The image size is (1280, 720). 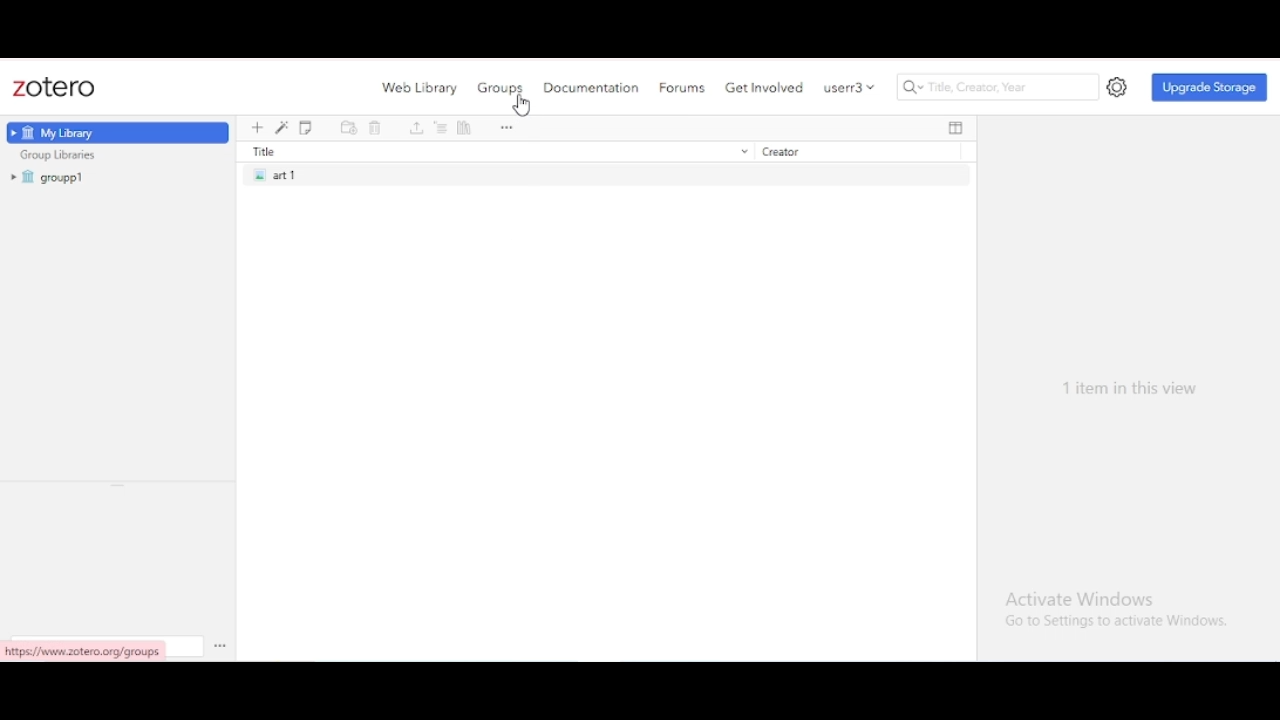 What do you see at coordinates (522, 107) in the screenshot?
I see `cursor` at bounding box center [522, 107].